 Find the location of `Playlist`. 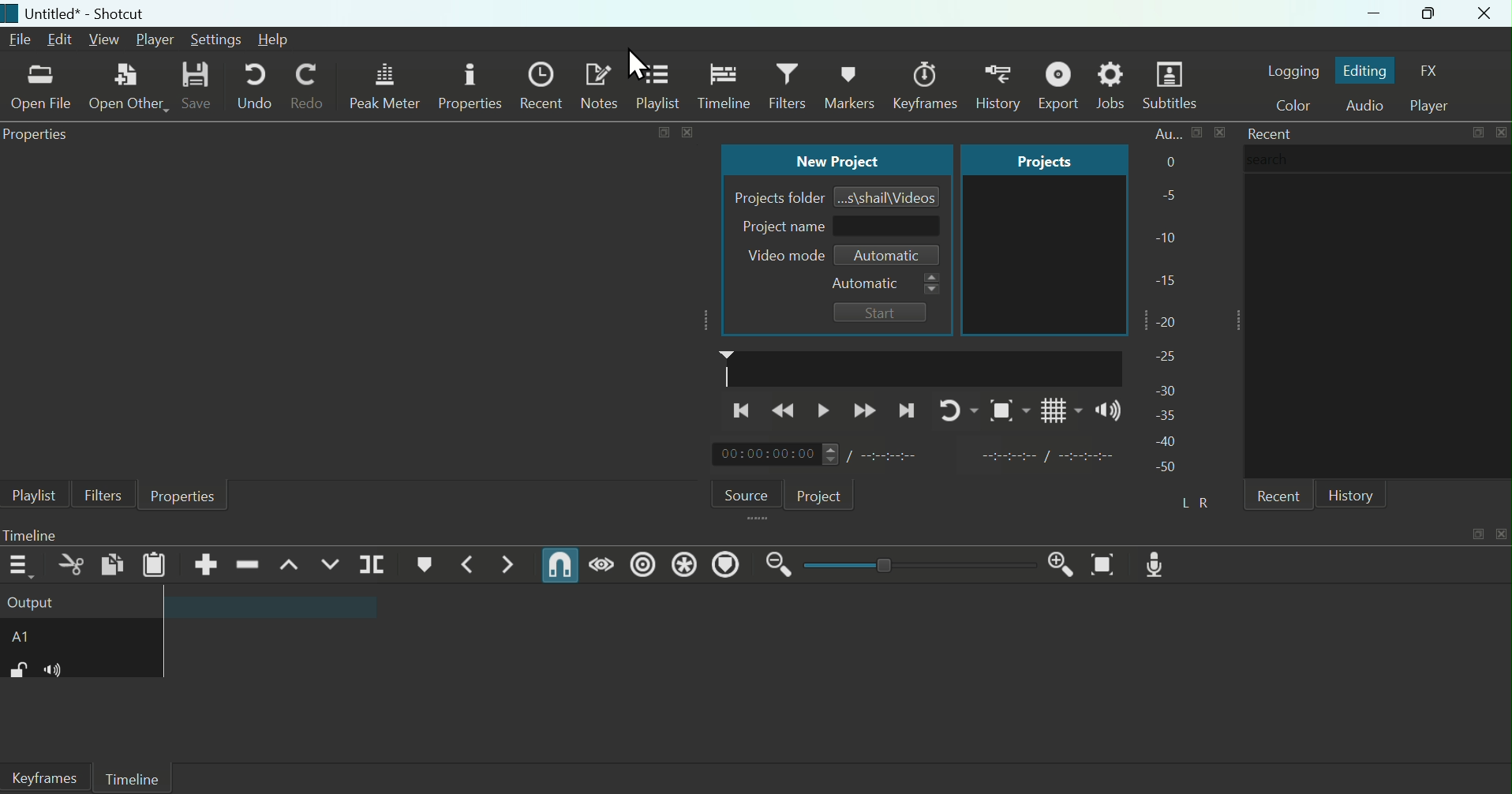

Playlist is located at coordinates (30, 495).